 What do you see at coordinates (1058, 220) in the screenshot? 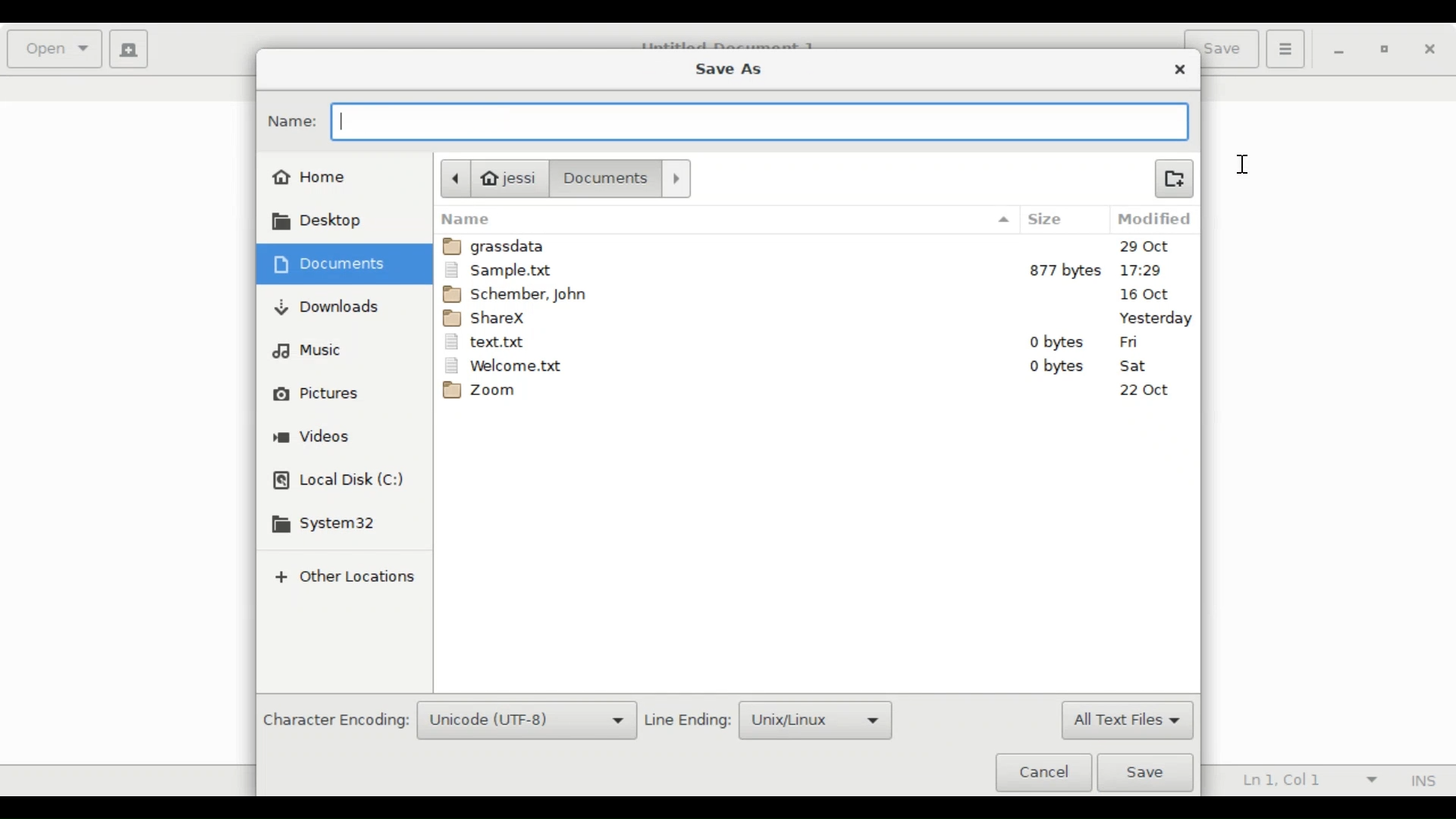
I see `Size` at bounding box center [1058, 220].